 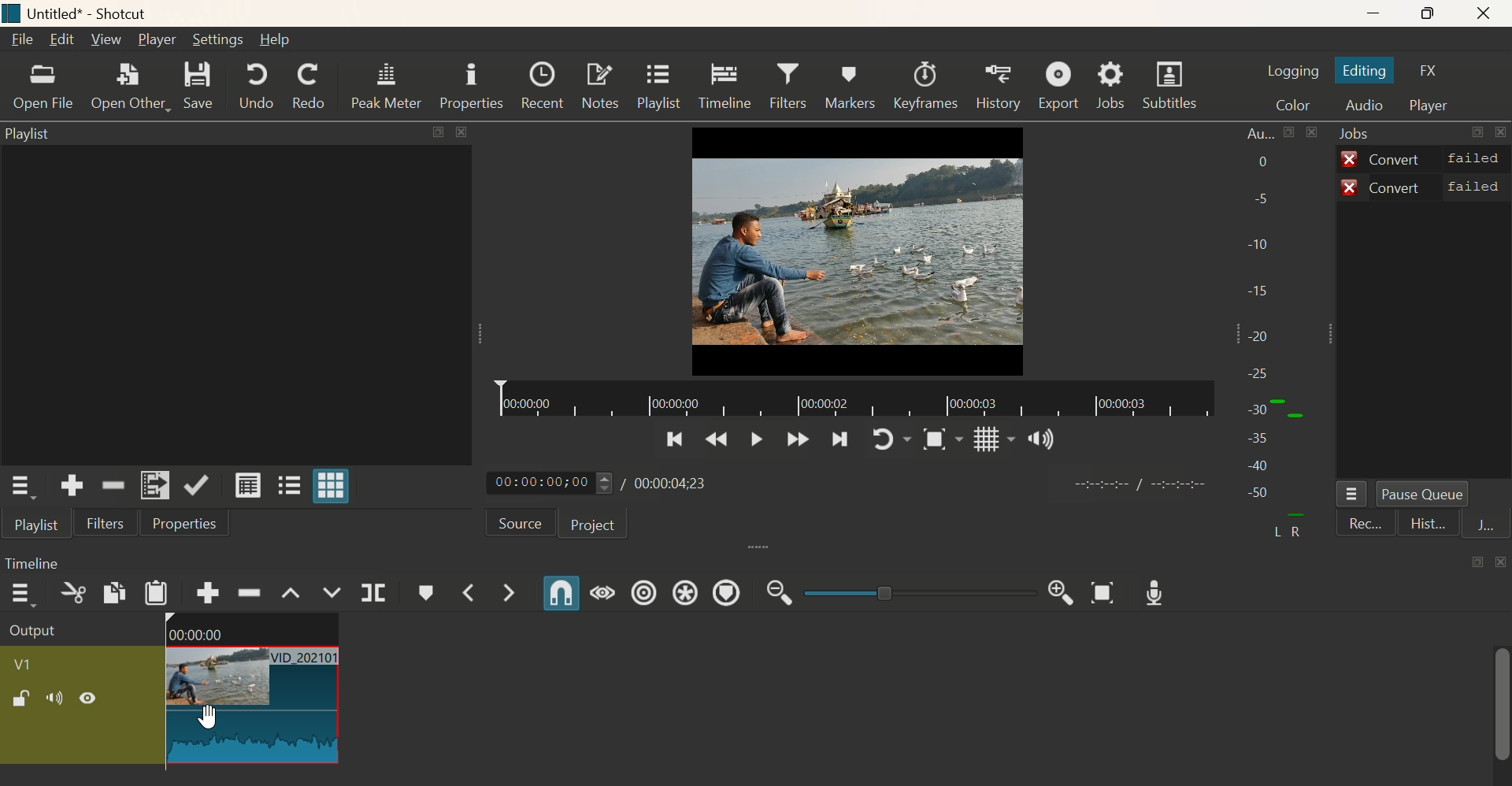 I want to click on Timeline, so click(x=853, y=399).